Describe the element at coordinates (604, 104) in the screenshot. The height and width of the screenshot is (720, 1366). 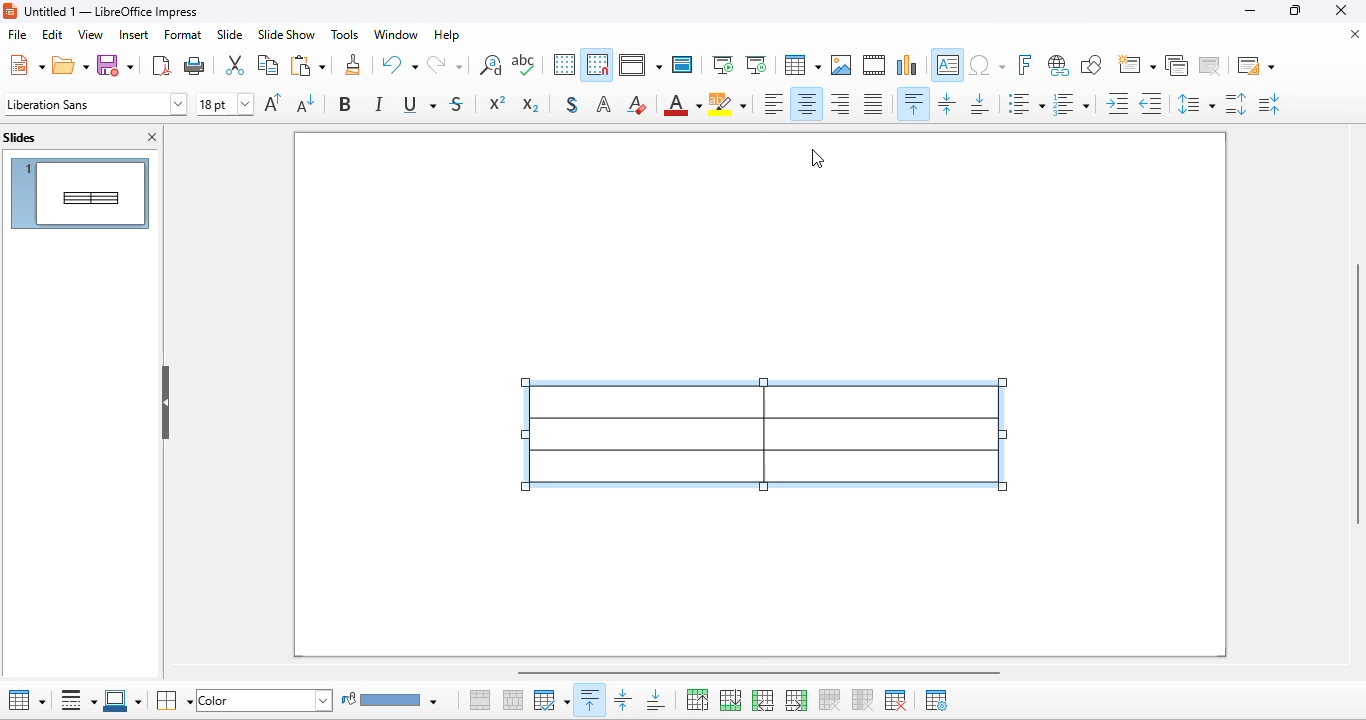
I see `apply outline attribute to font` at that location.